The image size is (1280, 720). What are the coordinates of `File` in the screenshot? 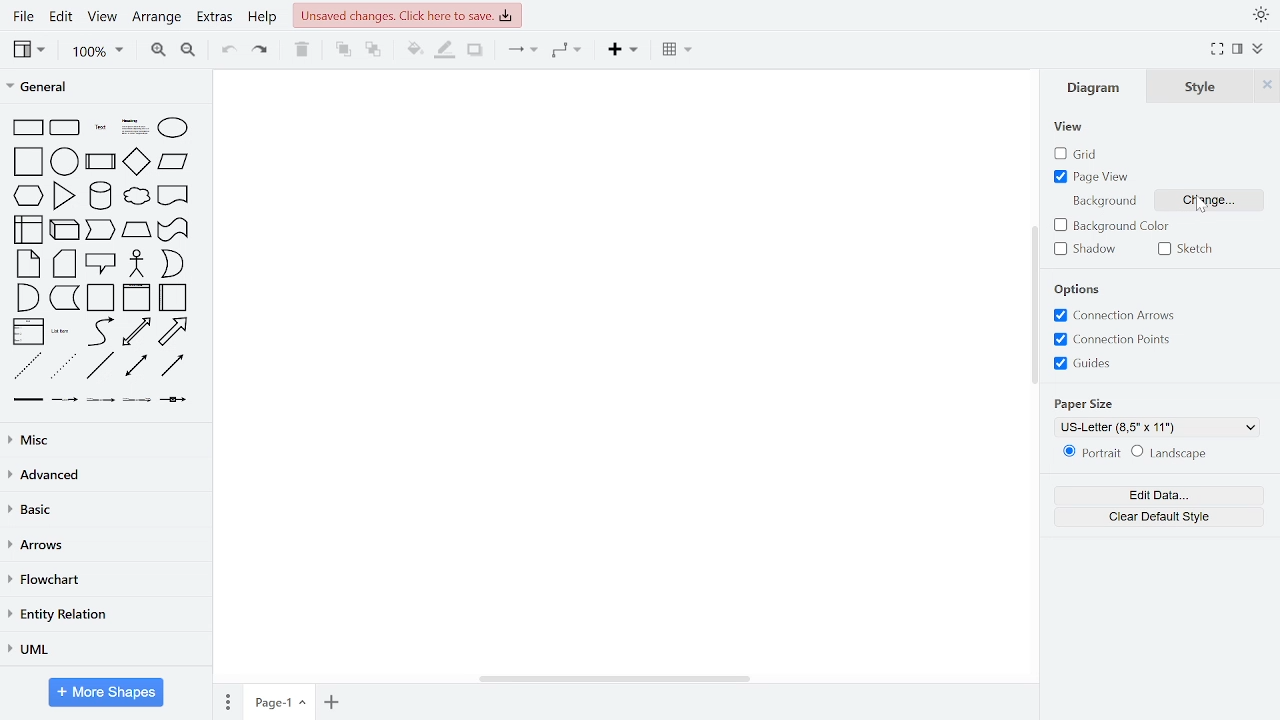 It's located at (20, 17).